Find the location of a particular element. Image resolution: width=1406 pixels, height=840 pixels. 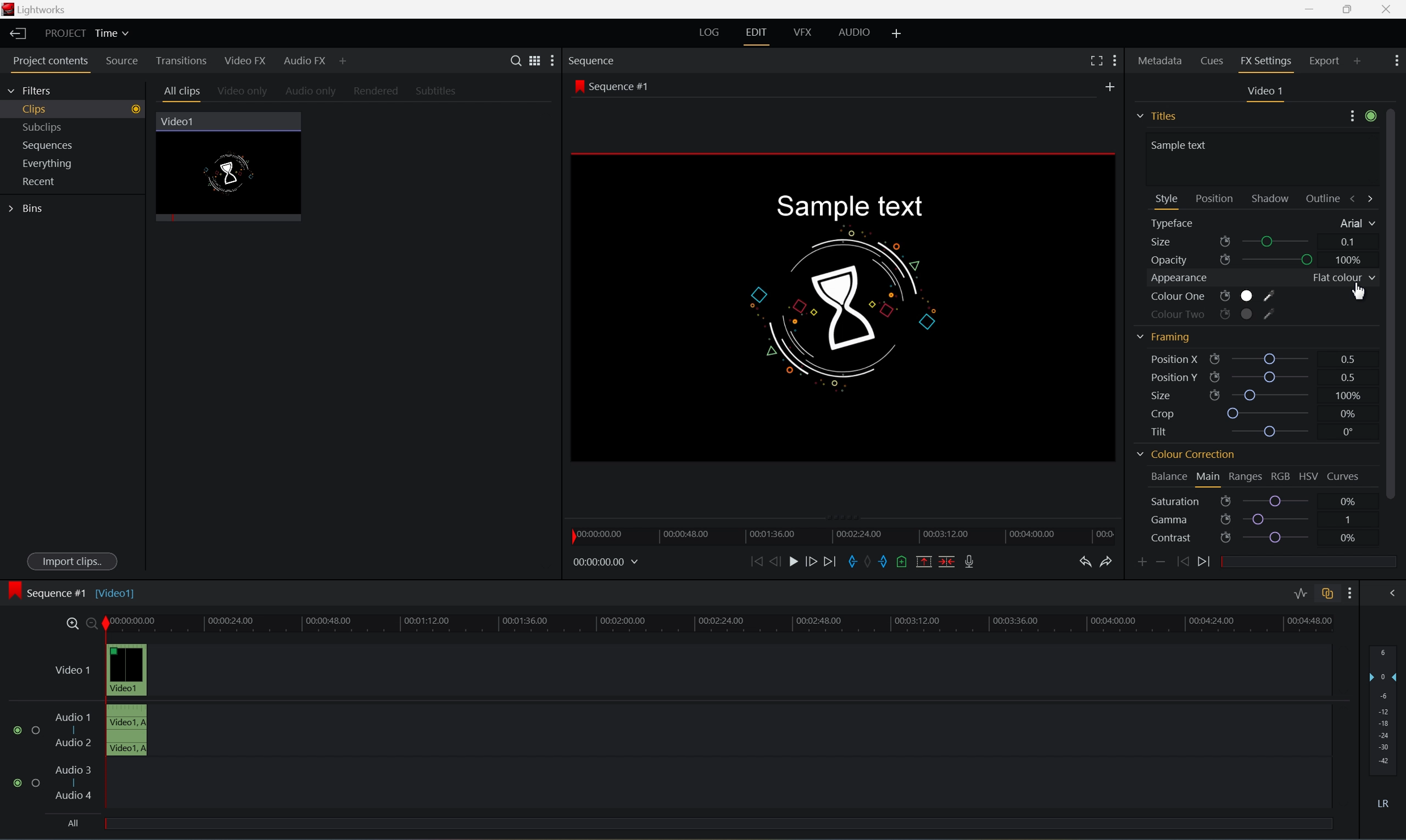

mute is located at coordinates (1387, 803).